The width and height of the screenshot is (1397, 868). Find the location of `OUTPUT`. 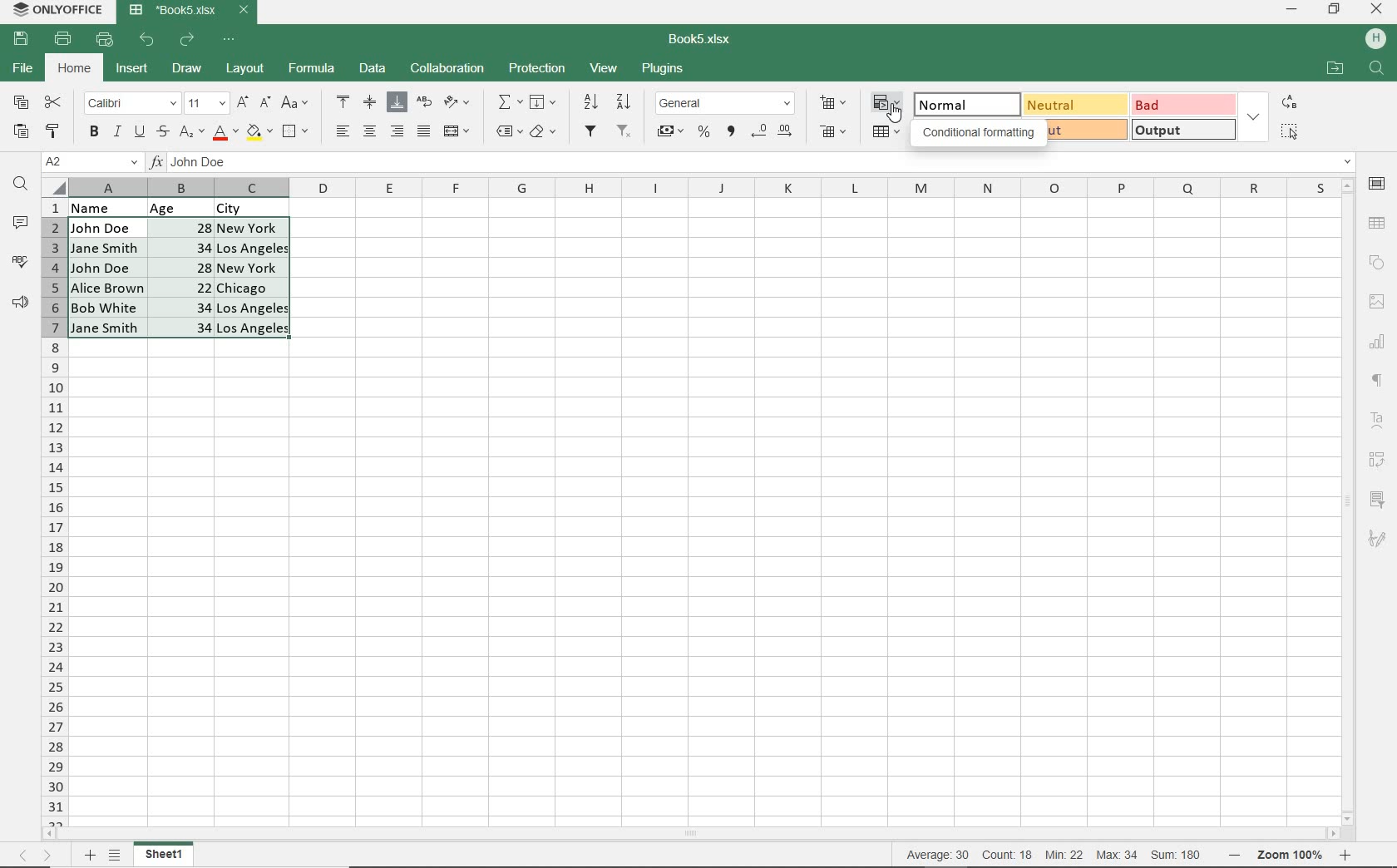

OUTPUT is located at coordinates (1182, 129).